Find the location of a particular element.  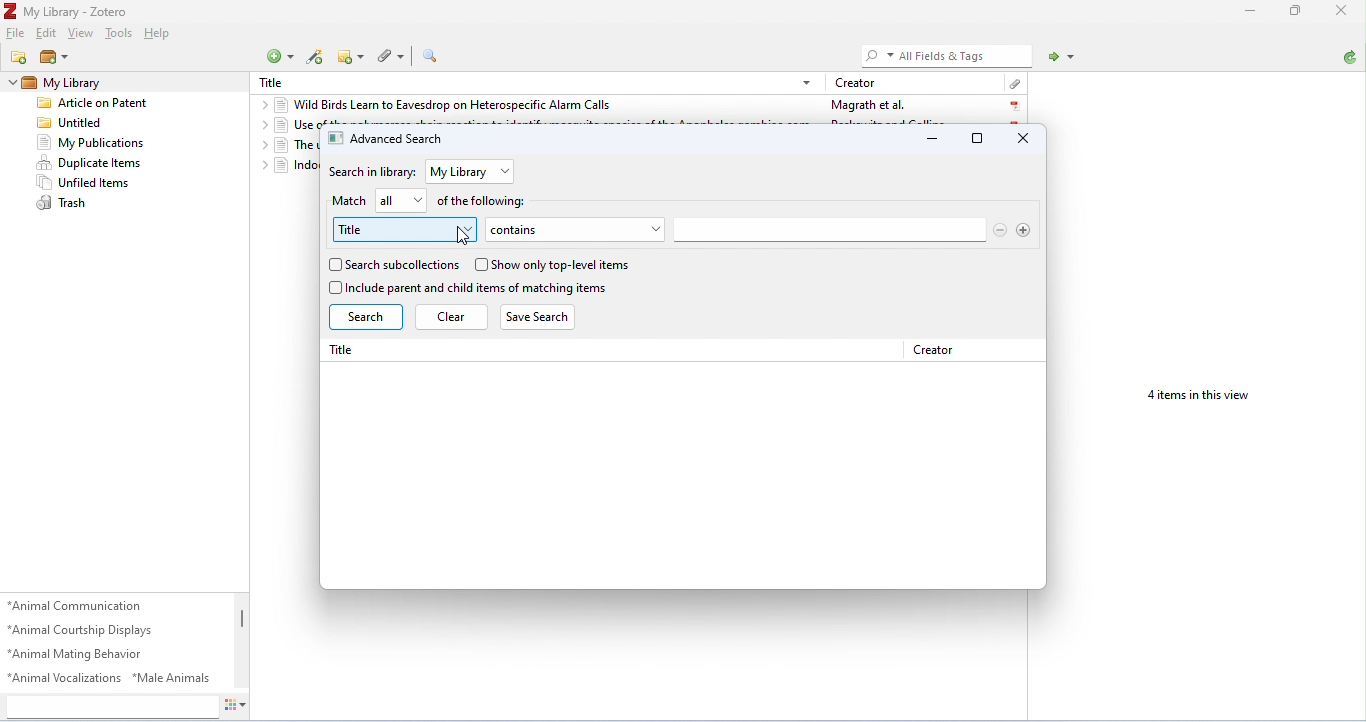

vertical scroll bar is located at coordinates (239, 622).